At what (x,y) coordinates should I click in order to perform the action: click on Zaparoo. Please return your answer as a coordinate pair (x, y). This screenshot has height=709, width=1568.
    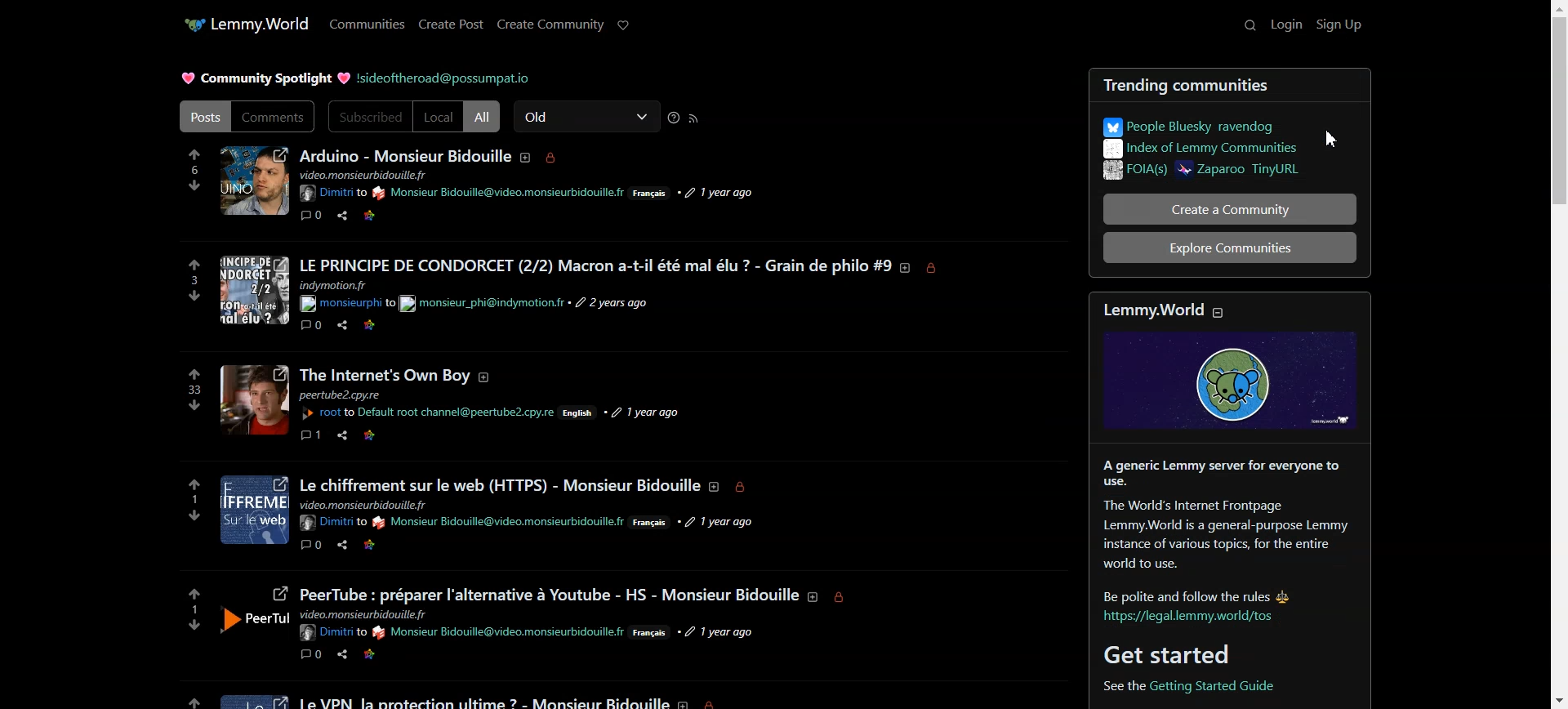
    Looking at the image, I should click on (1245, 173).